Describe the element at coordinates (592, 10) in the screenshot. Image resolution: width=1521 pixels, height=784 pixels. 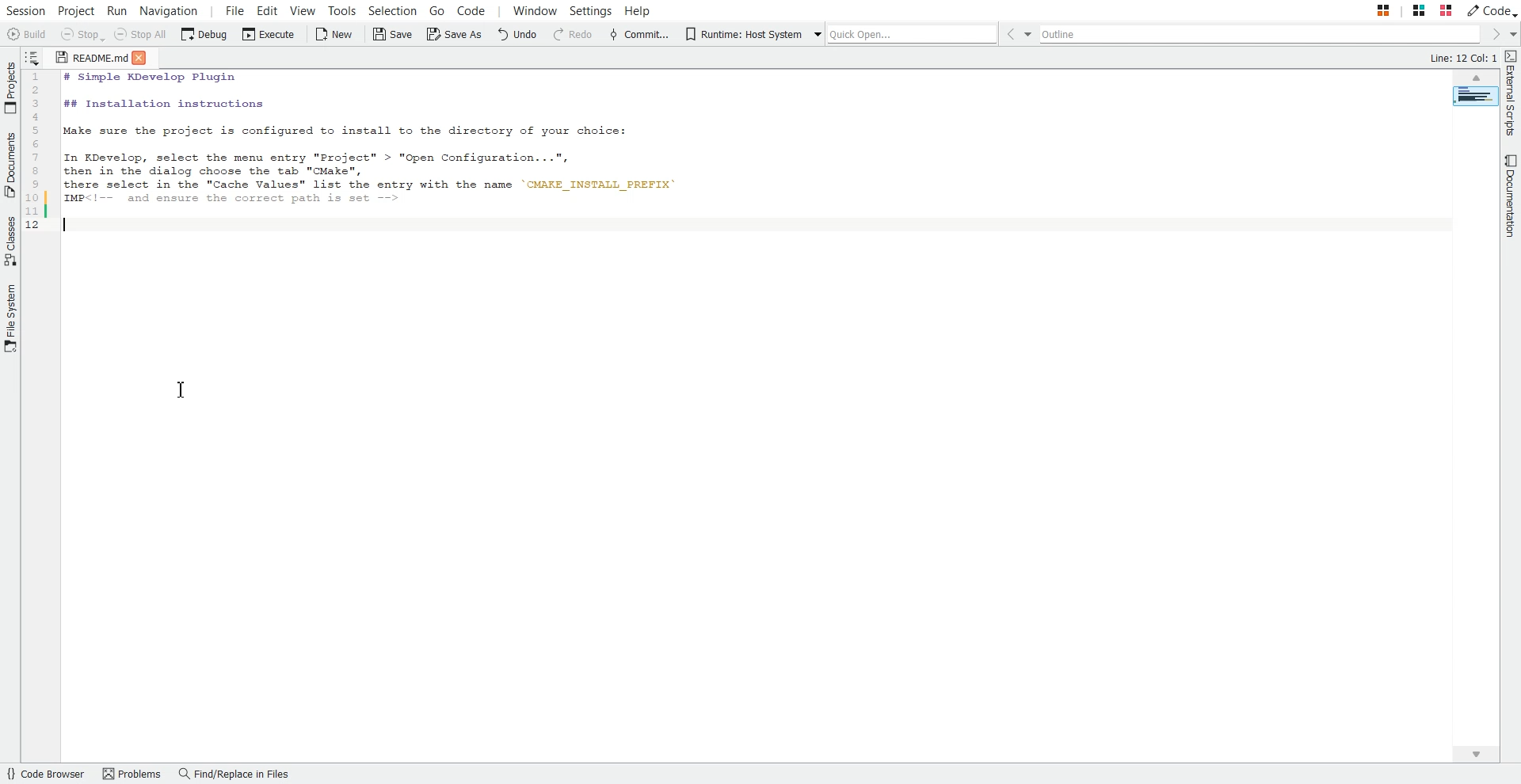
I see `Settings` at that location.